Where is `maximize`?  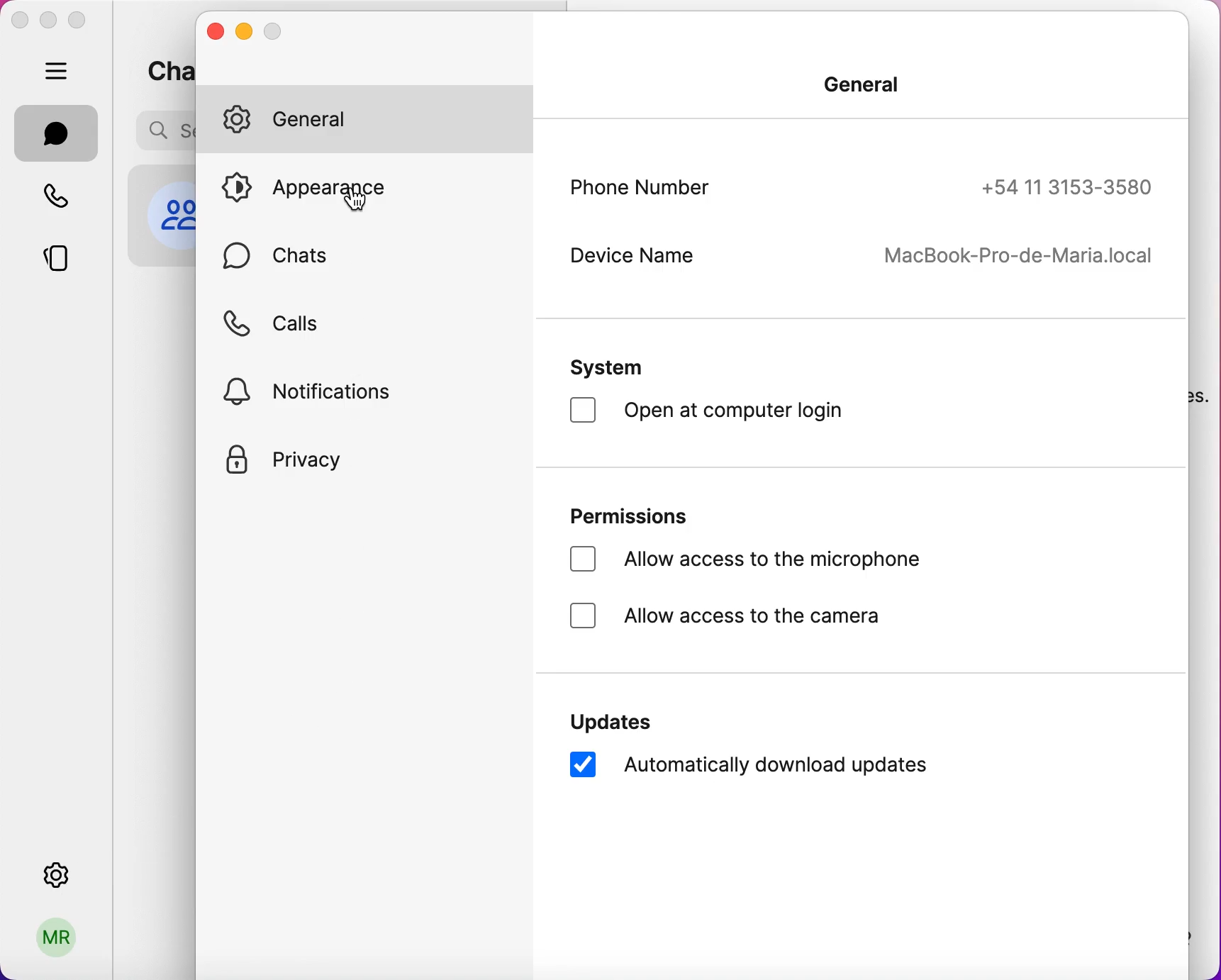 maximize is located at coordinates (280, 30).